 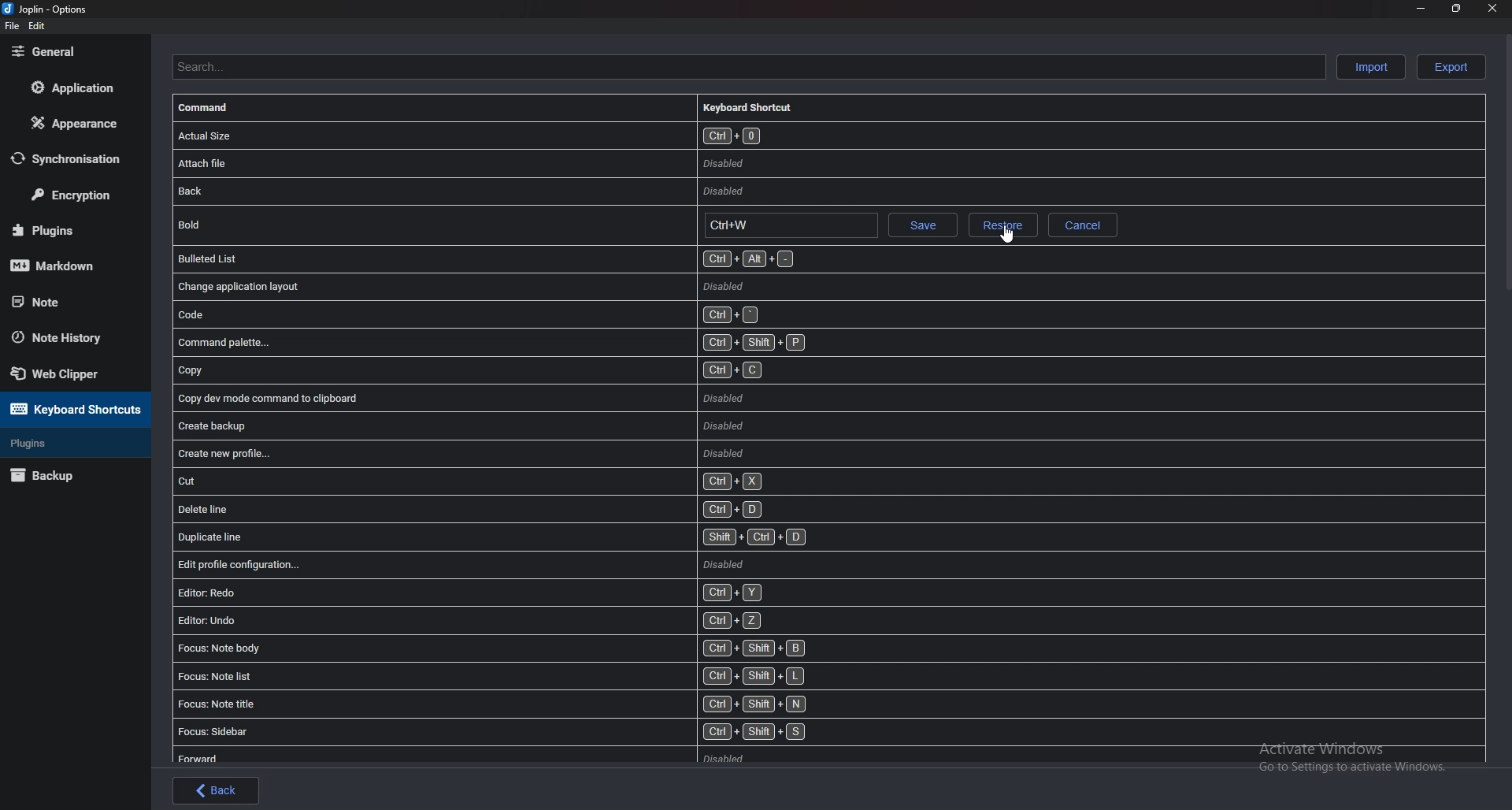 I want to click on Shortcut, so click(x=788, y=225).